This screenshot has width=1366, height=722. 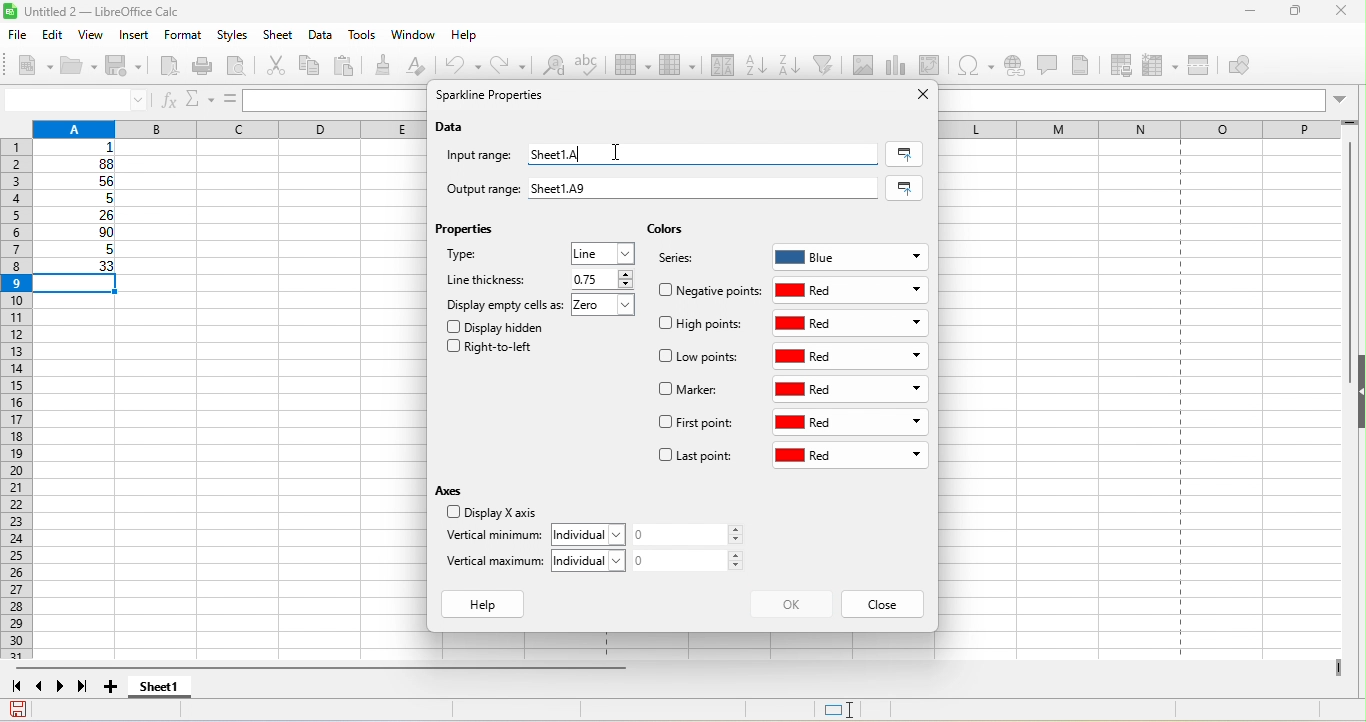 I want to click on maximize, so click(x=1288, y=13).